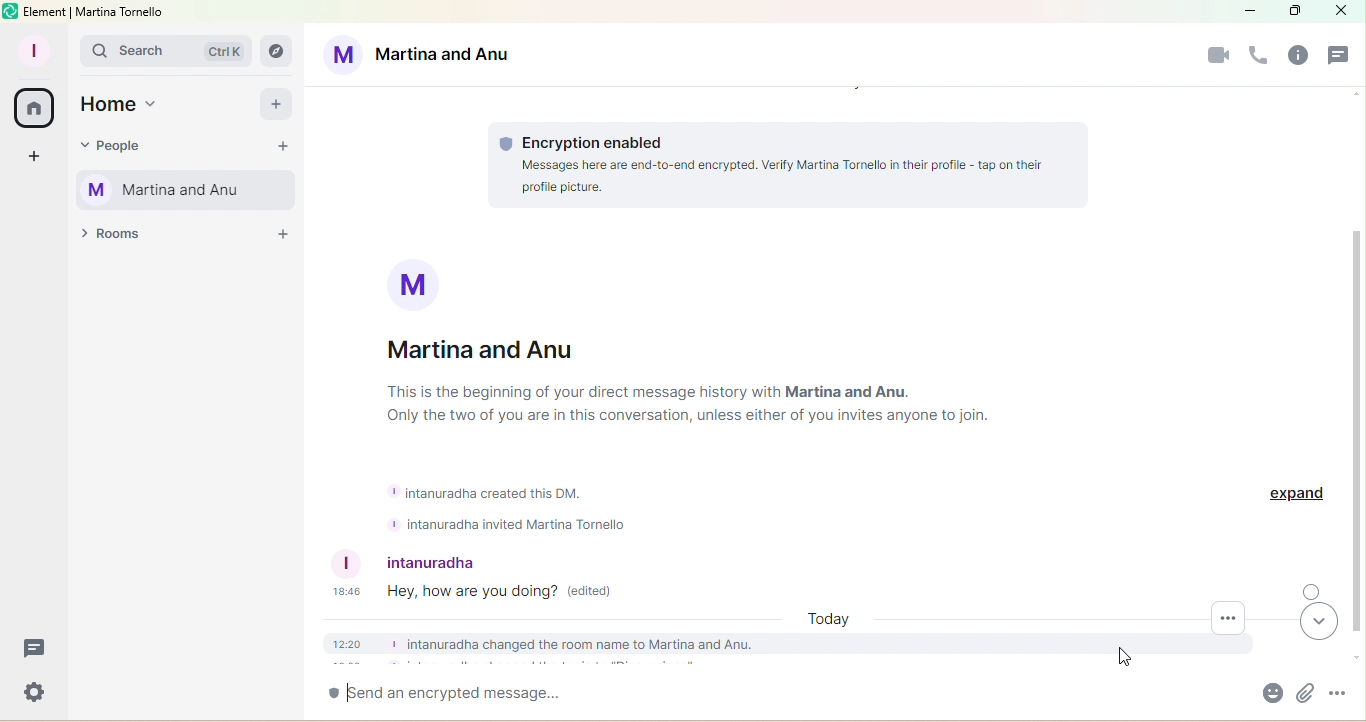 The height and width of the screenshot is (722, 1366). What do you see at coordinates (282, 147) in the screenshot?
I see `Start chat` at bounding box center [282, 147].